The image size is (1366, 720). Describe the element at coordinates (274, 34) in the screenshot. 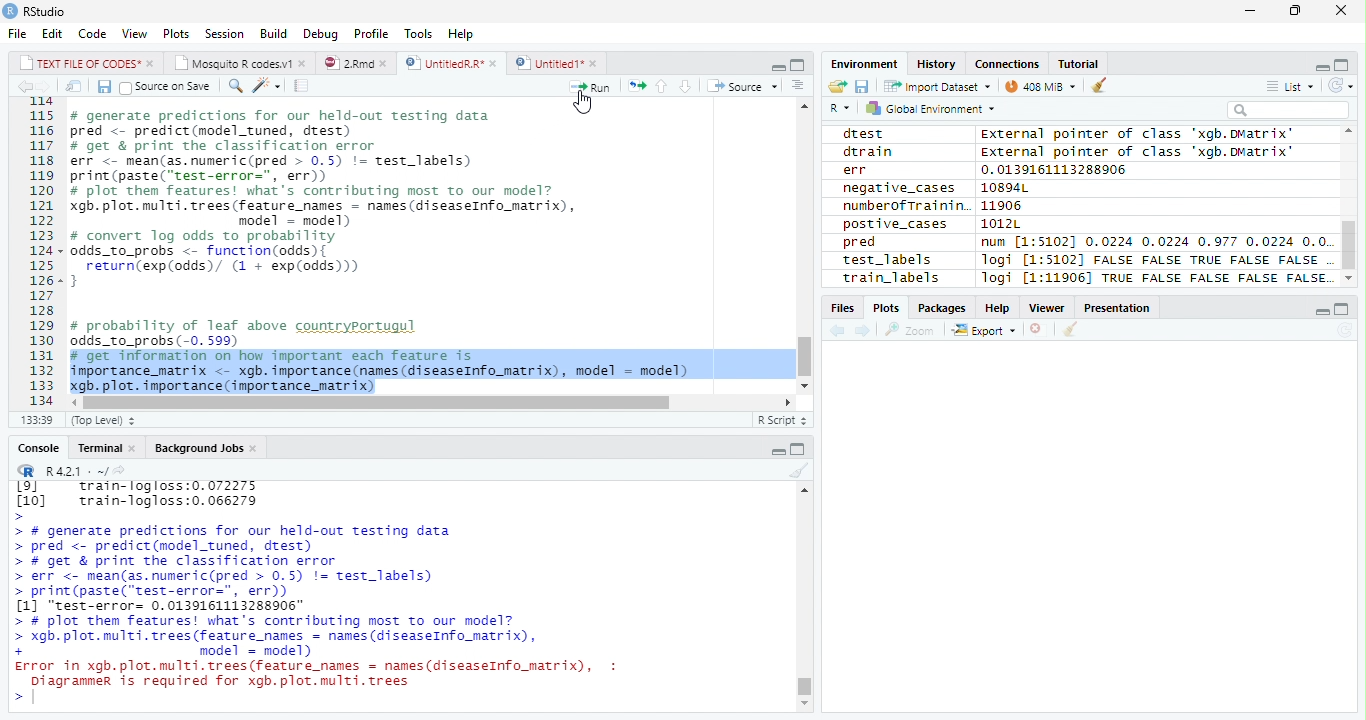

I see `Build` at that location.